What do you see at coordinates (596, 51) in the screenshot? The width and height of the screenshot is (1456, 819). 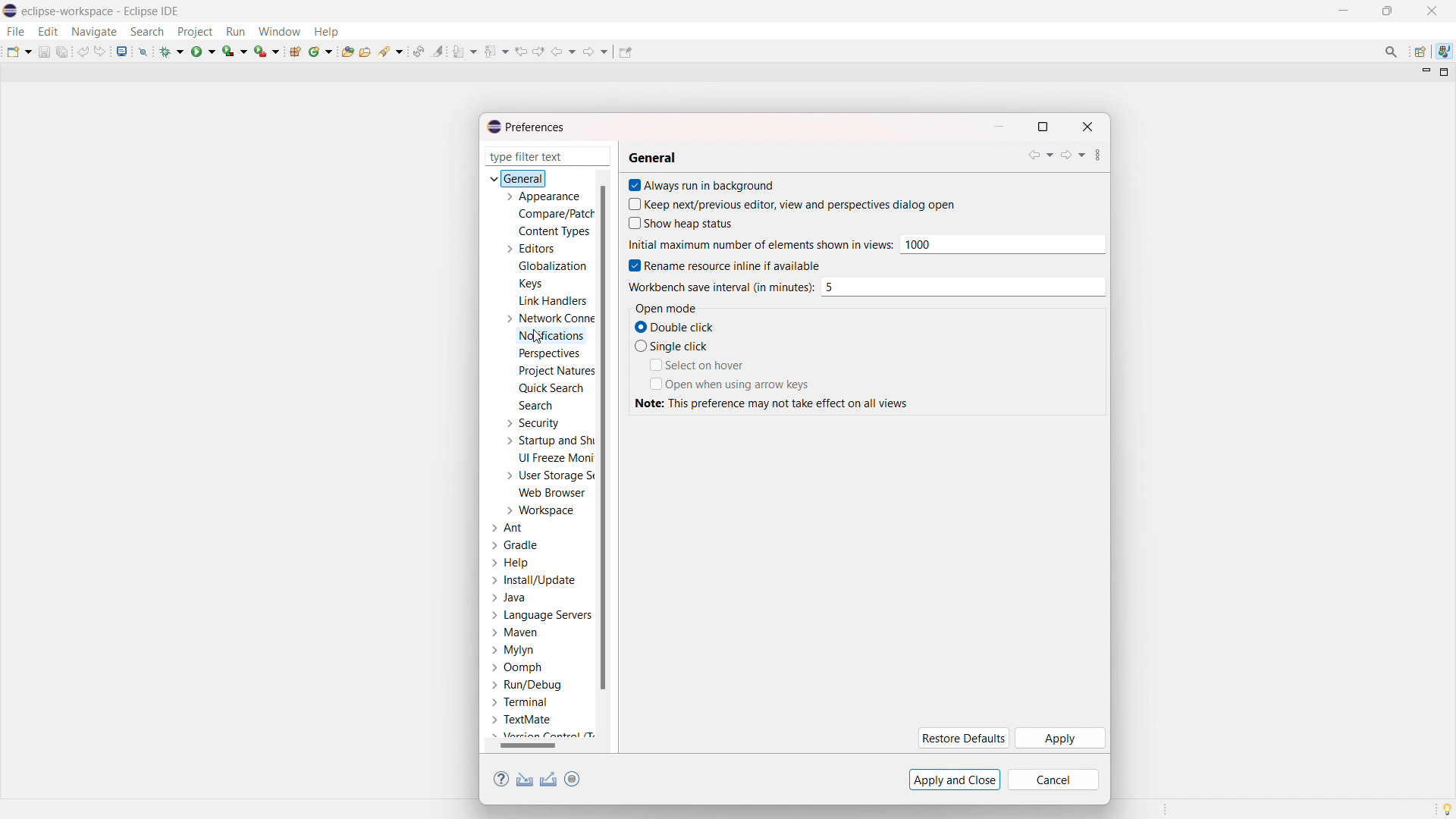 I see `foreward` at bounding box center [596, 51].